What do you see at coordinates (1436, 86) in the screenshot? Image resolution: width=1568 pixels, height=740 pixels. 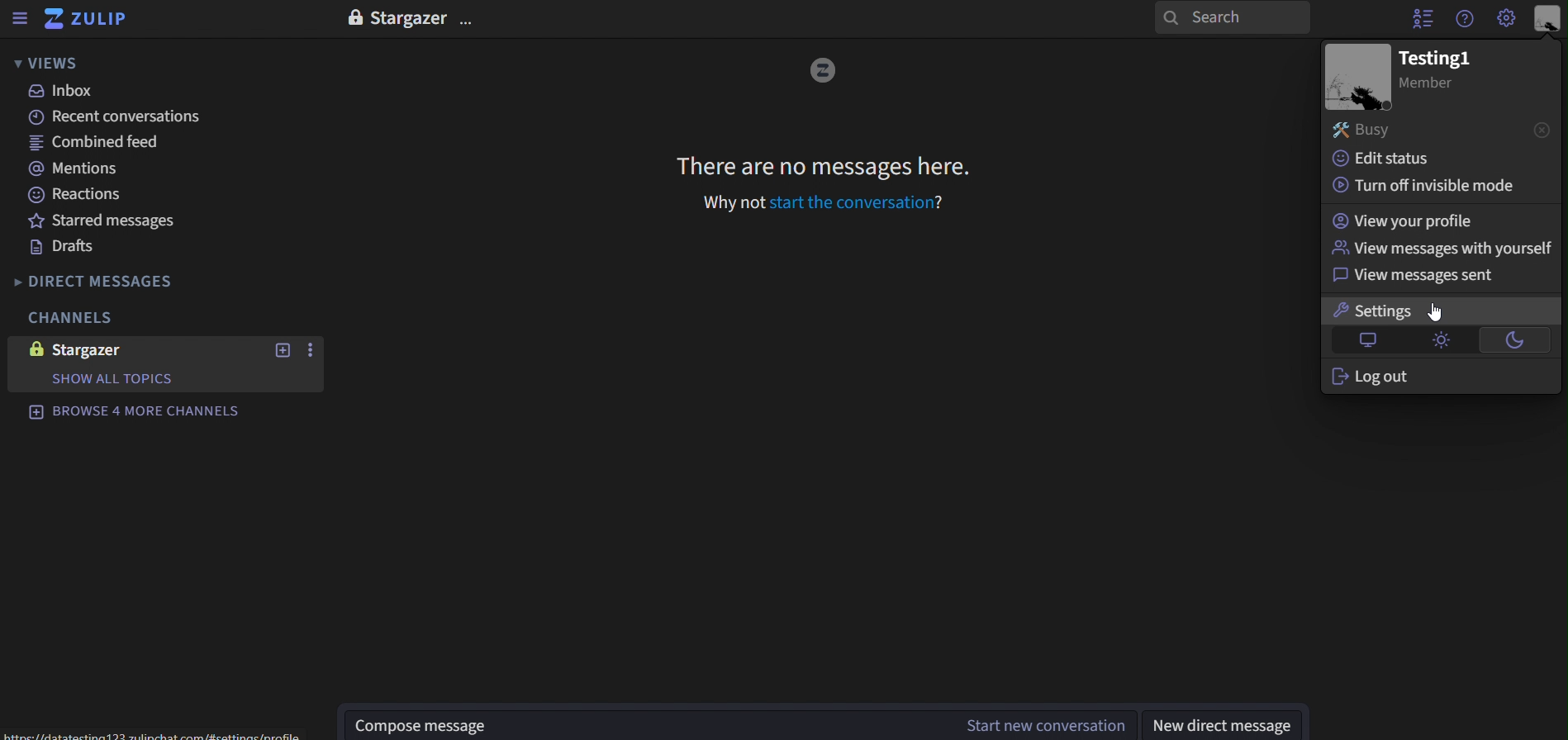 I see `Member` at bounding box center [1436, 86].